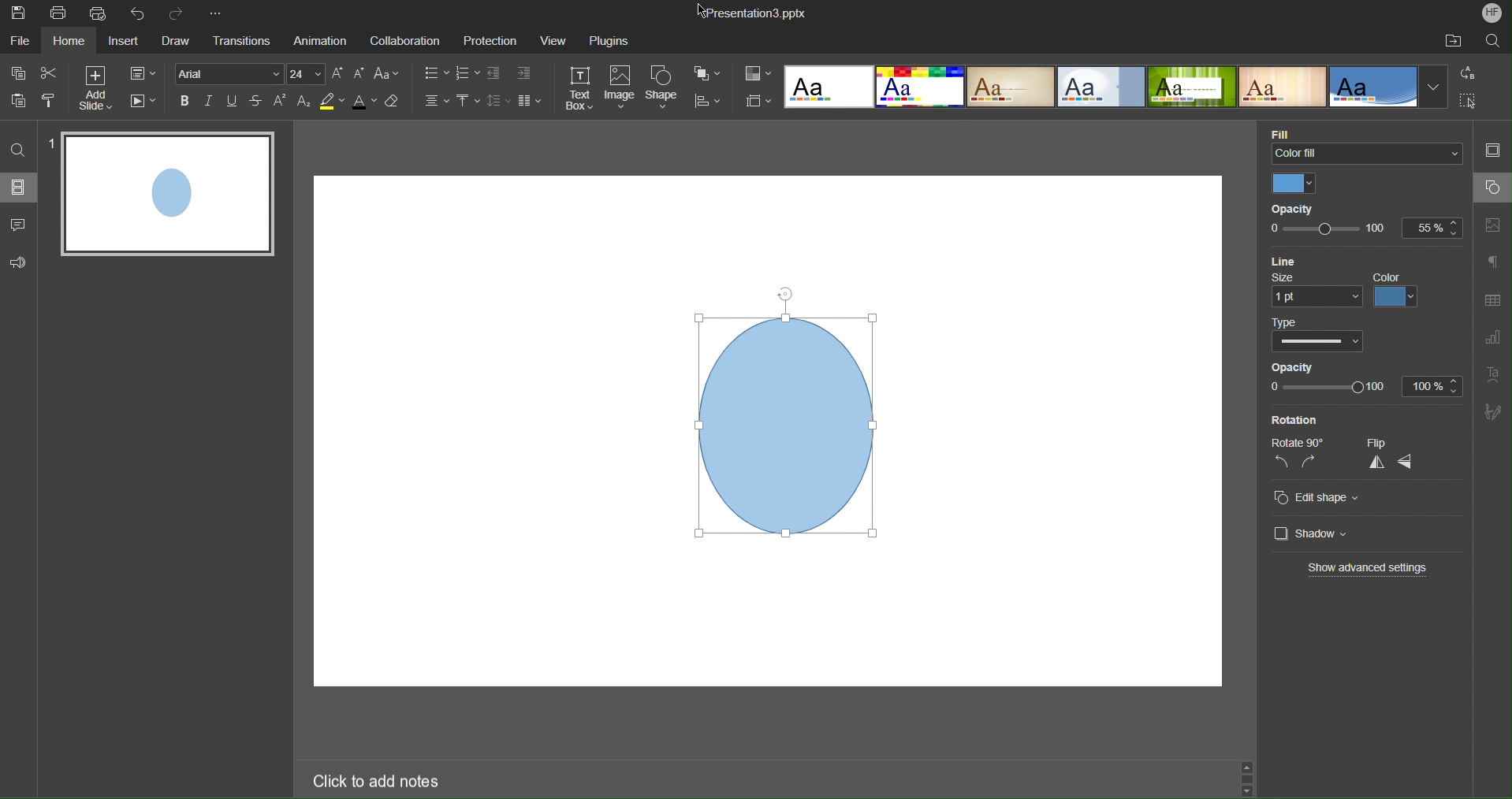 The height and width of the screenshot is (799, 1512). What do you see at coordinates (233, 103) in the screenshot?
I see `Underline` at bounding box center [233, 103].